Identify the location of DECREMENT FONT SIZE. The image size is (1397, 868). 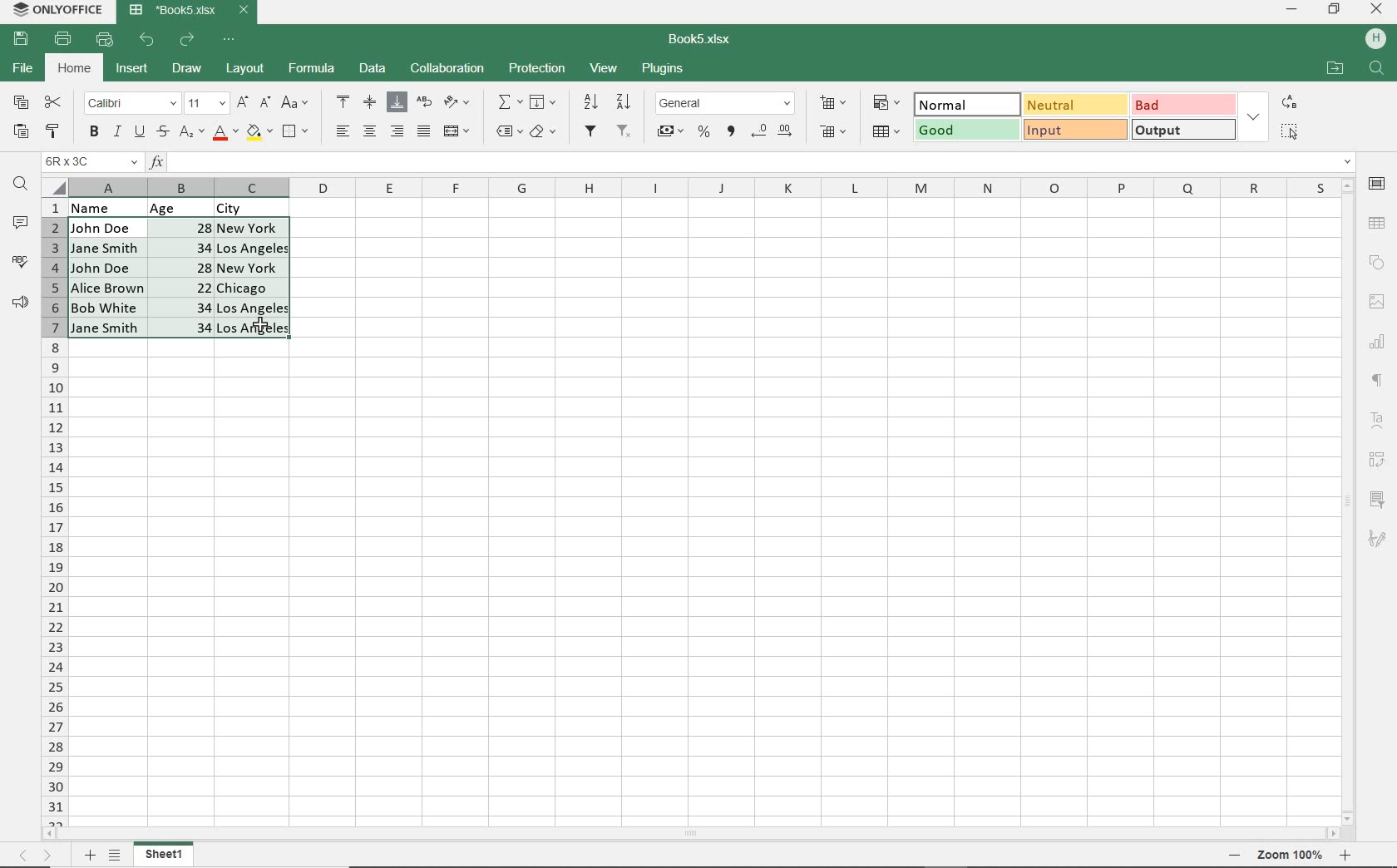
(265, 101).